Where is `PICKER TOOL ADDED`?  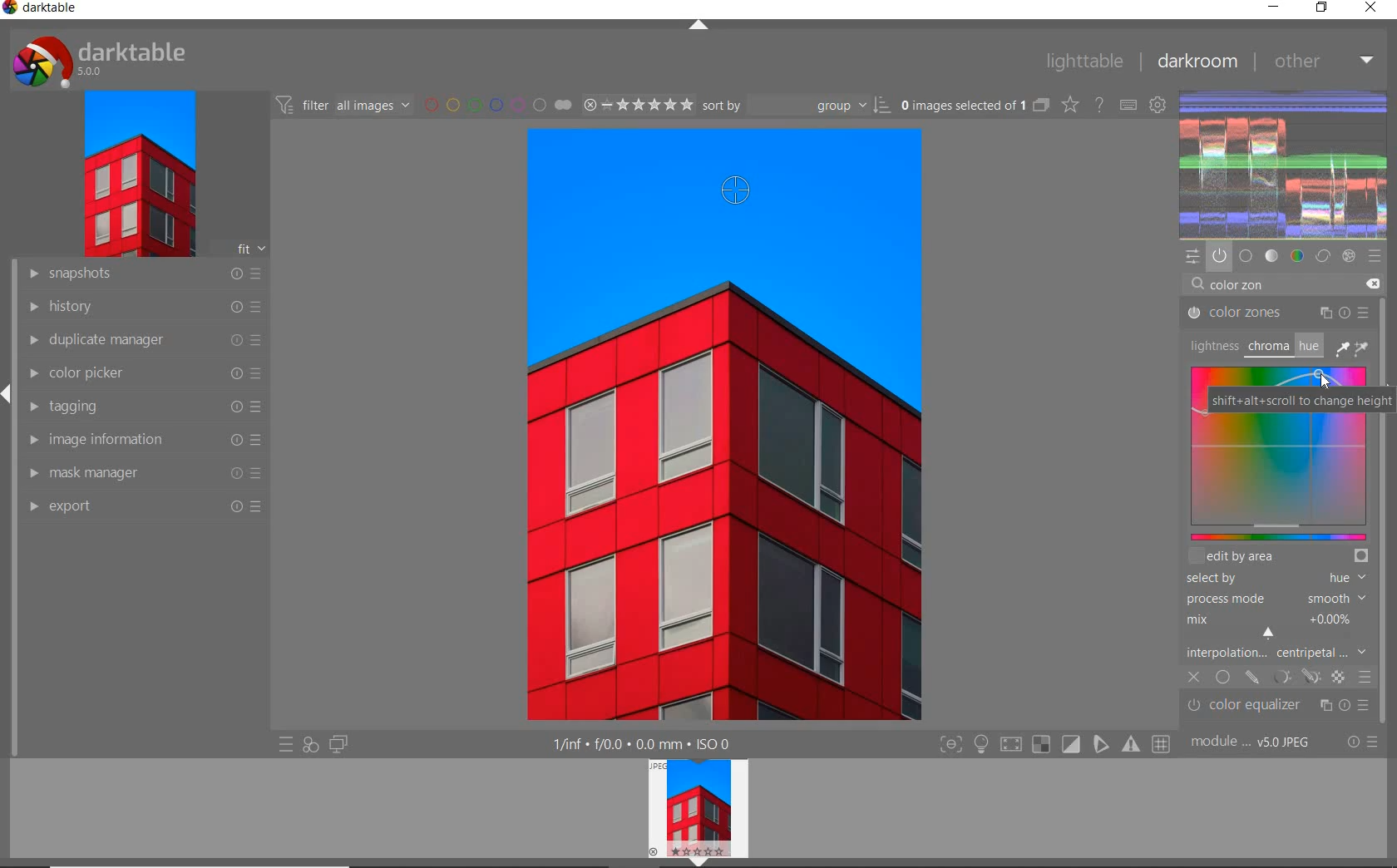 PICKER TOOL ADDED is located at coordinates (731, 191).